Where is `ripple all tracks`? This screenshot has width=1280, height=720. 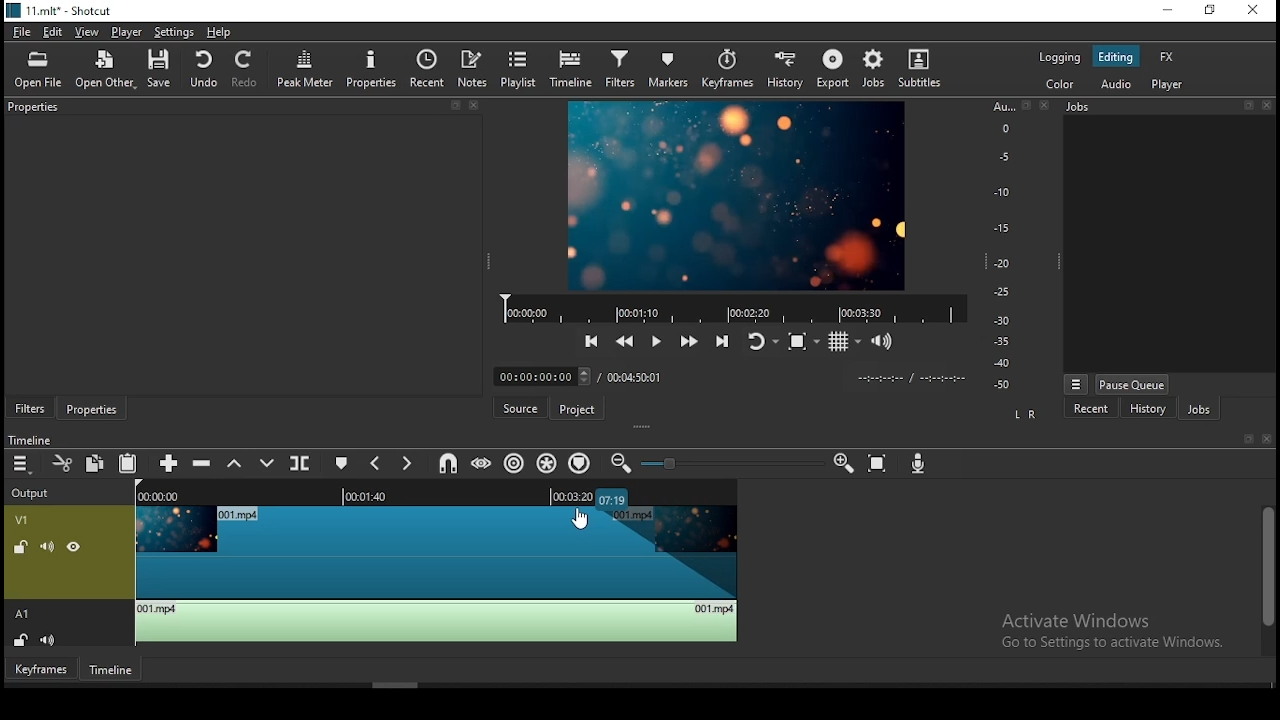 ripple all tracks is located at coordinates (549, 459).